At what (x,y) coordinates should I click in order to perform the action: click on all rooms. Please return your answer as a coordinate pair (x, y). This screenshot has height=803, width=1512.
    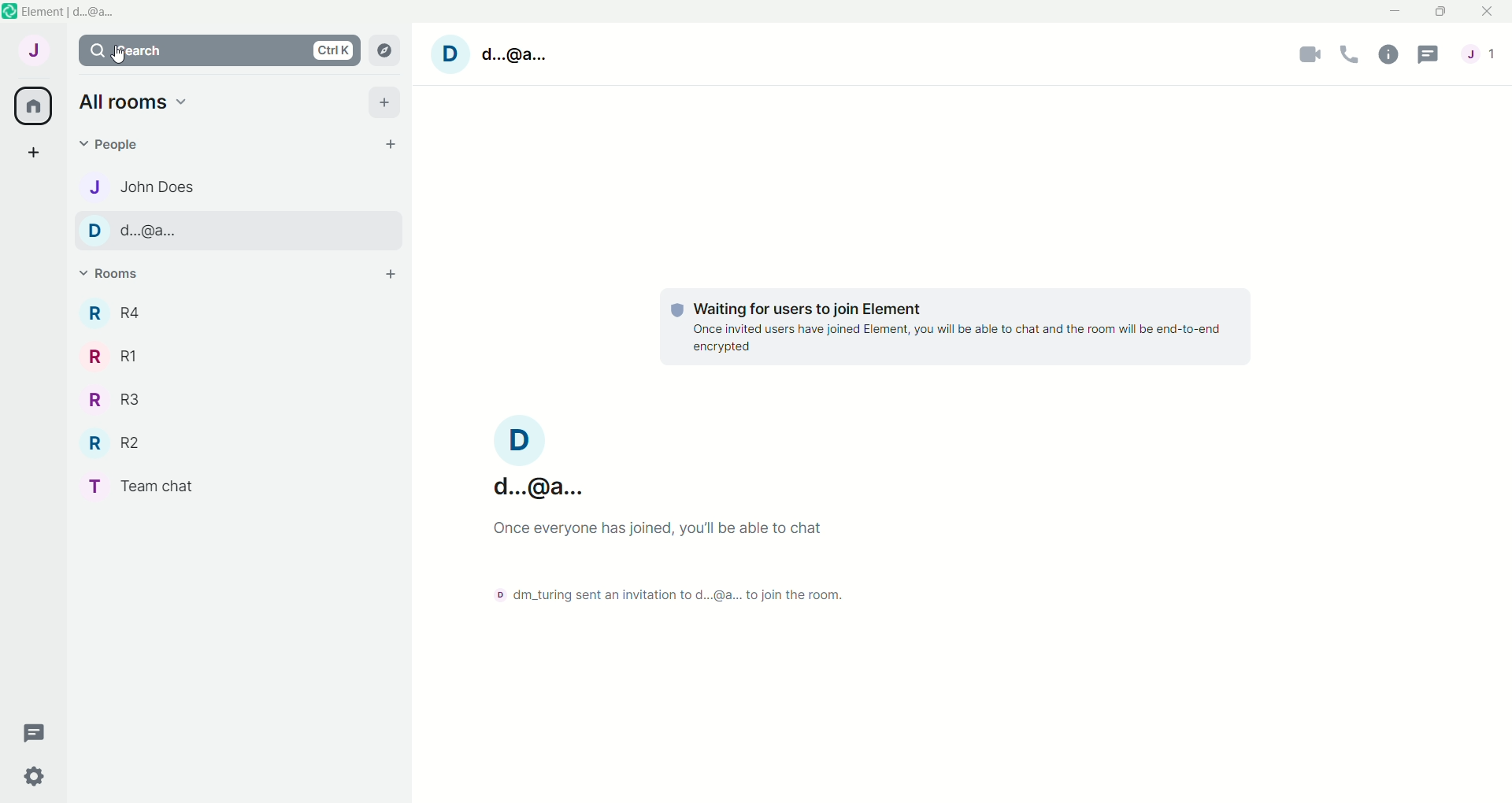
    Looking at the image, I should click on (30, 105).